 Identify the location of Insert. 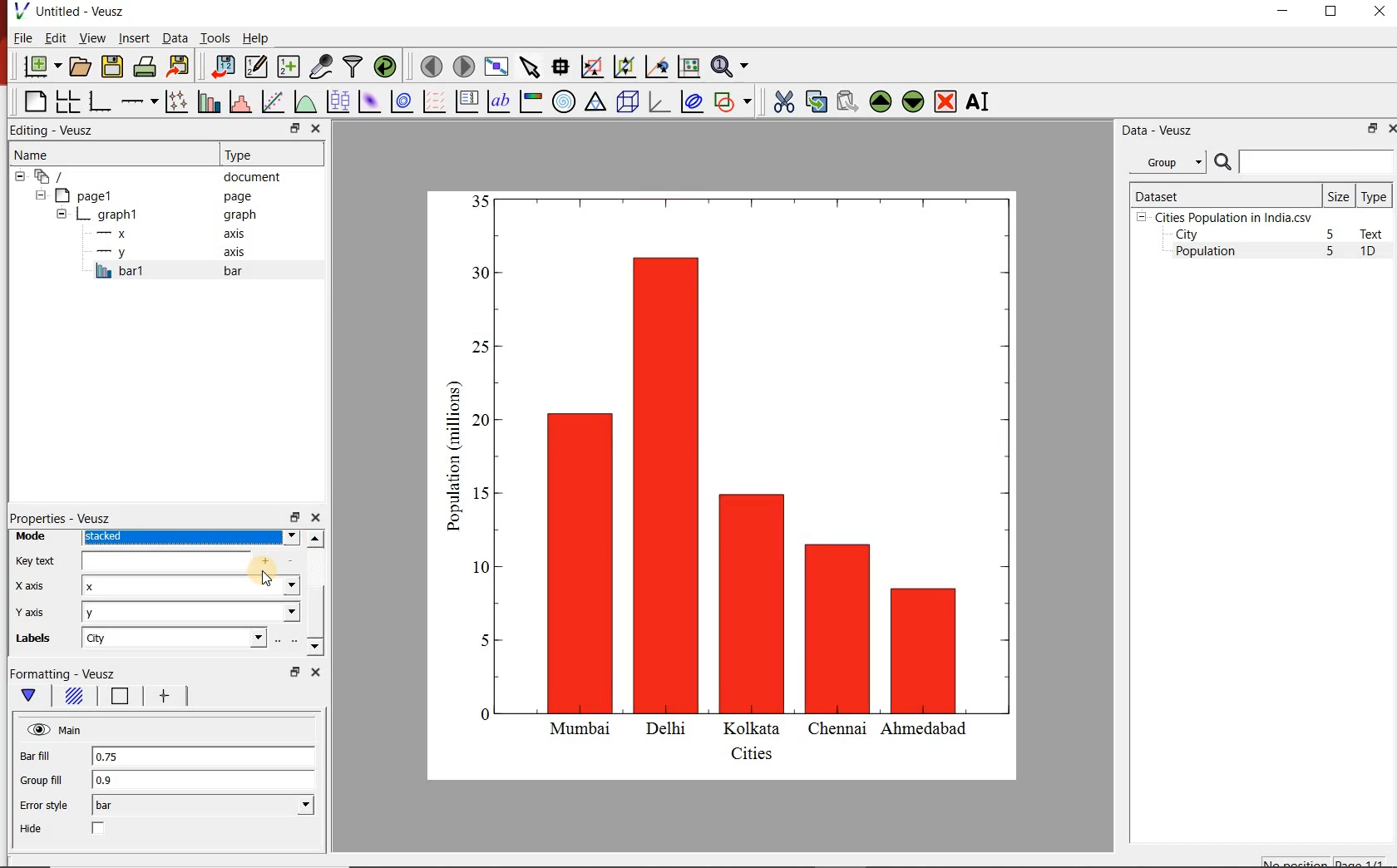
(133, 39).